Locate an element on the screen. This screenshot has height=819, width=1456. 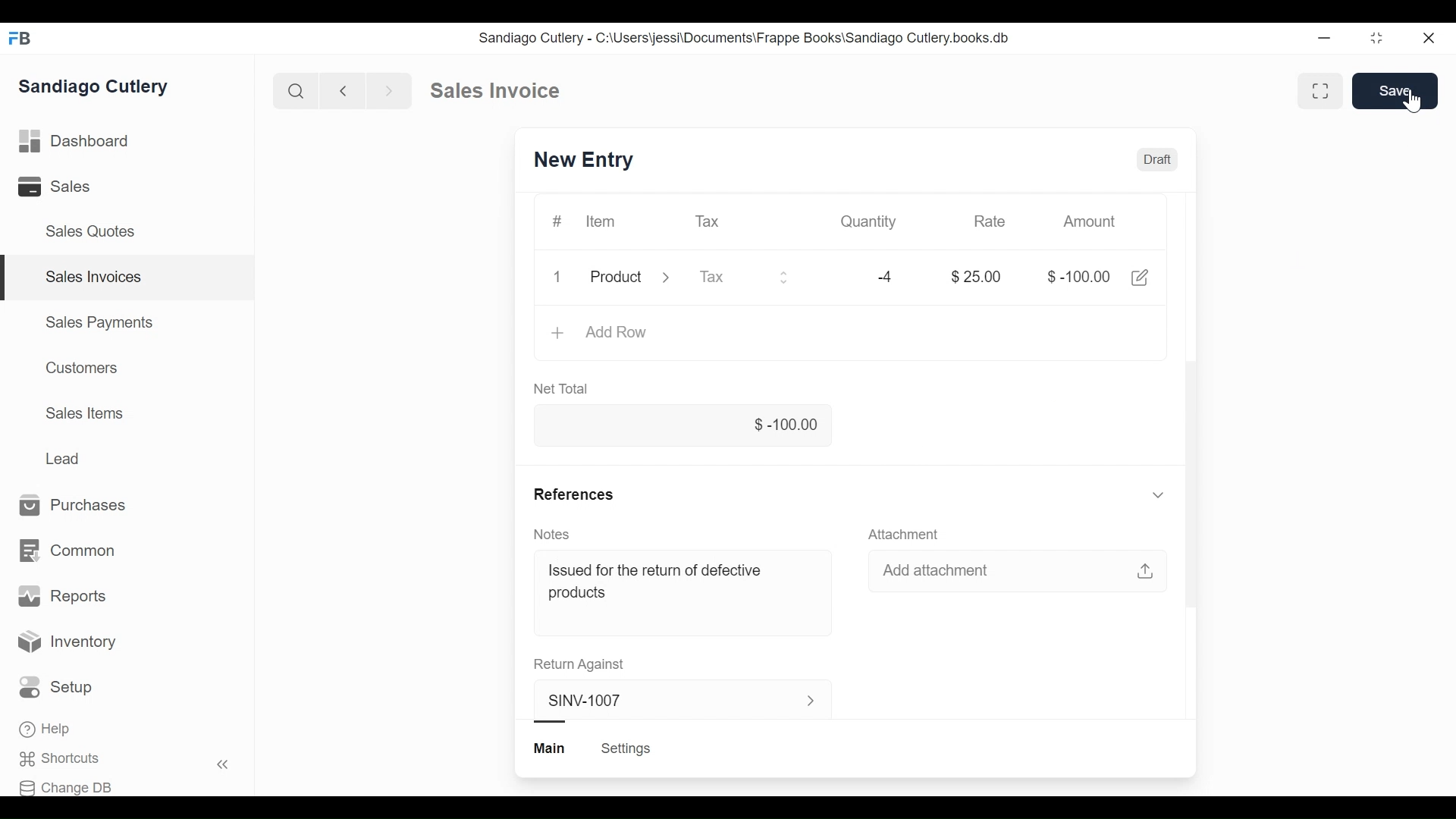
Sales Items is located at coordinates (84, 413).